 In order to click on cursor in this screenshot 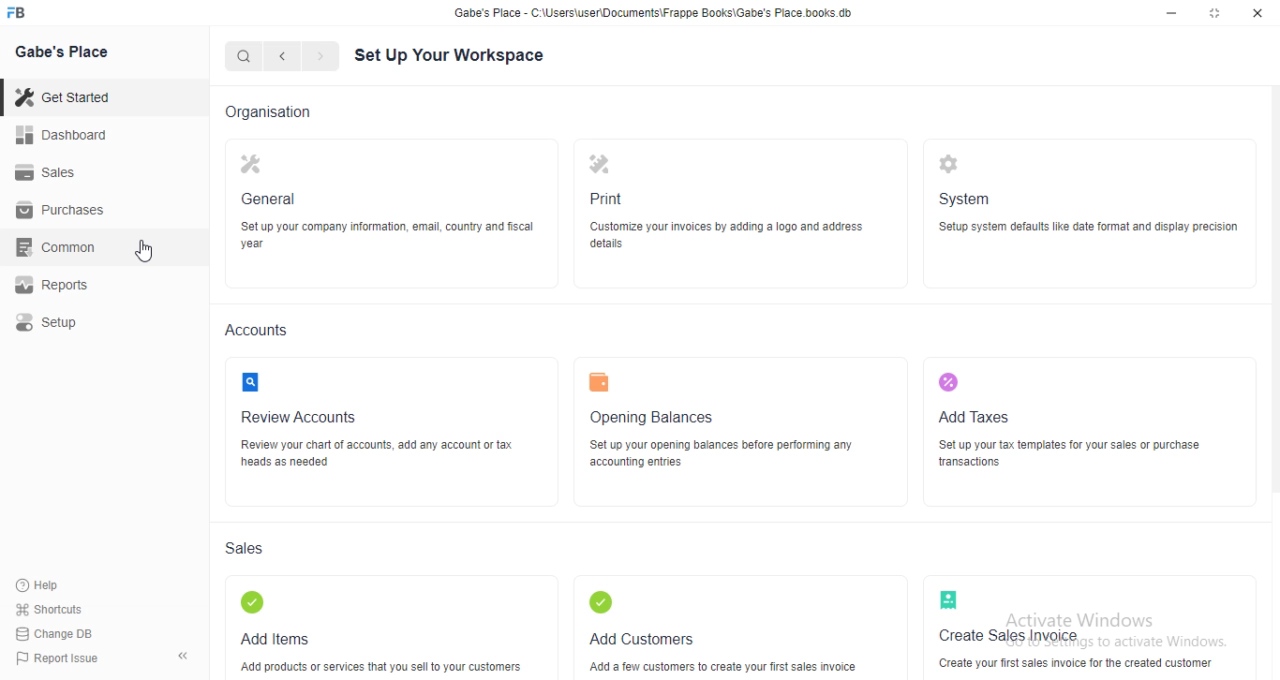, I will do `click(146, 252)`.